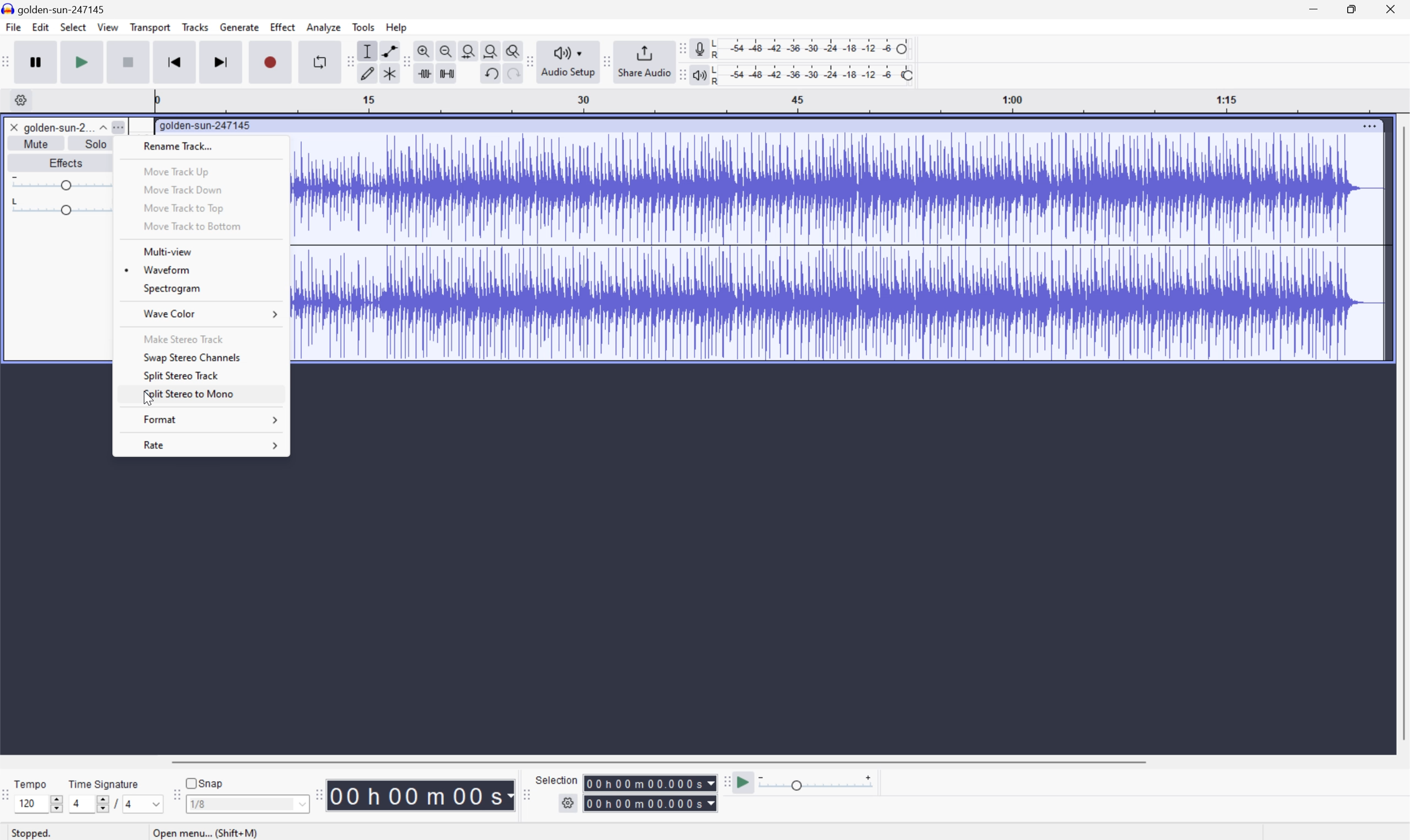  What do you see at coordinates (448, 73) in the screenshot?
I see `Silence audio selection` at bounding box center [448, 73].